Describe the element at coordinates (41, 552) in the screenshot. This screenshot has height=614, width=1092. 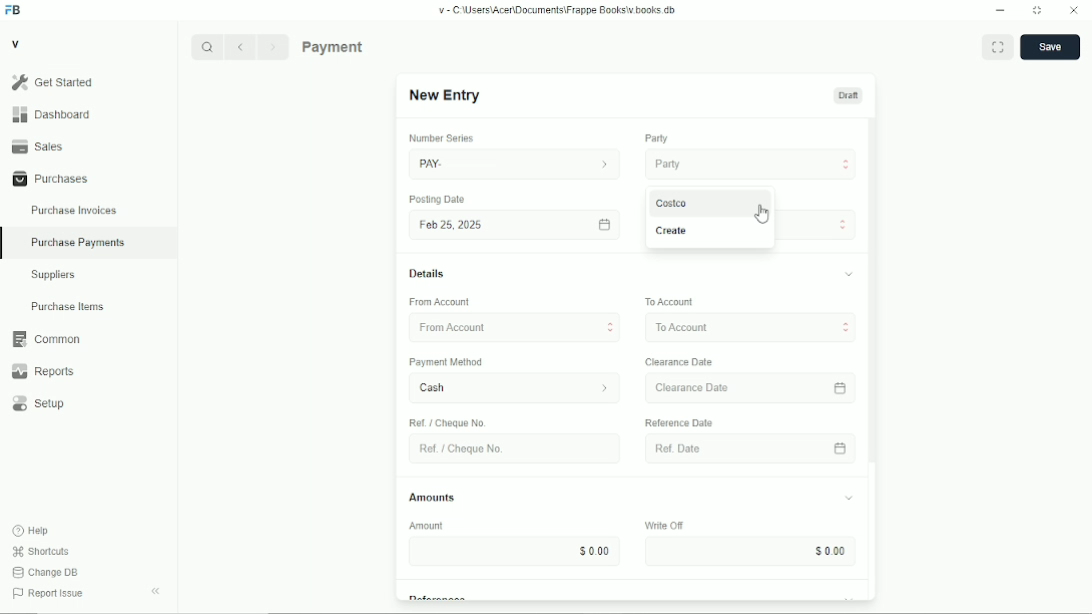
I see `Shortcuts` at that location.